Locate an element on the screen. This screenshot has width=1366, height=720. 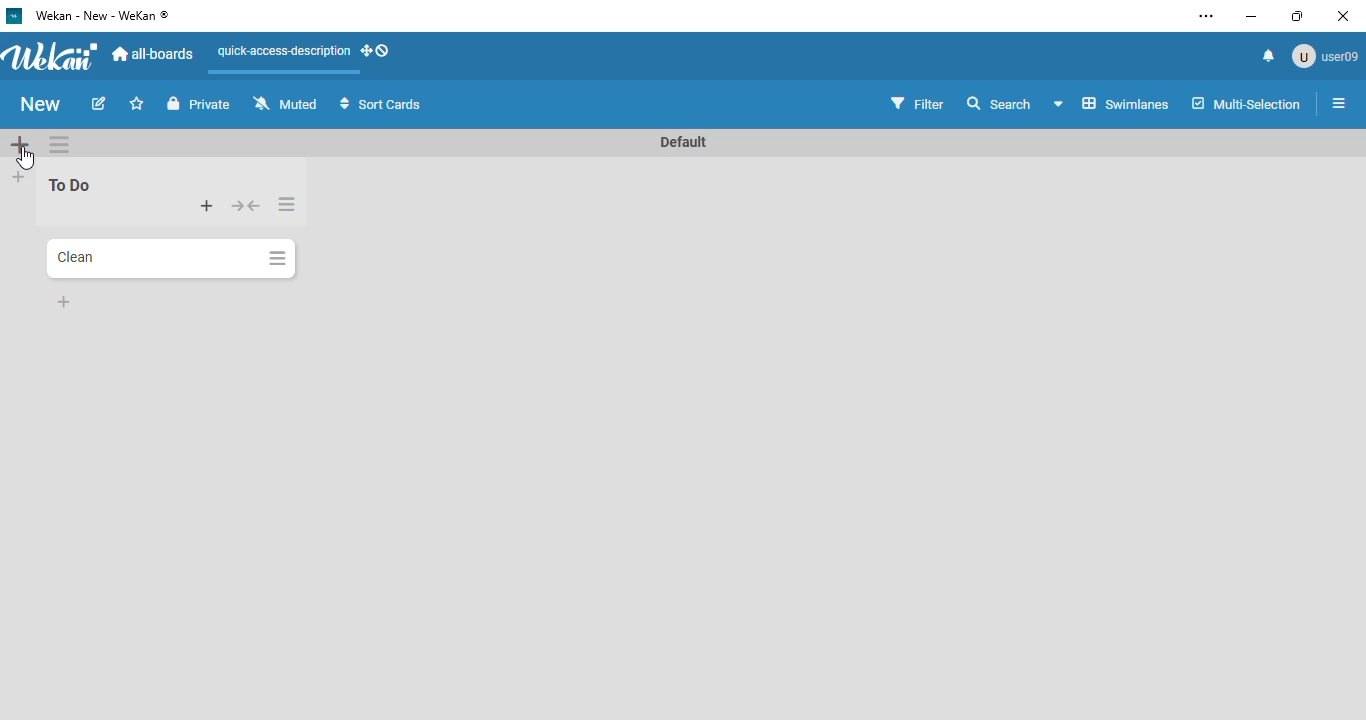
show-desktop-drag-handles is located at coordinates (375, 51).